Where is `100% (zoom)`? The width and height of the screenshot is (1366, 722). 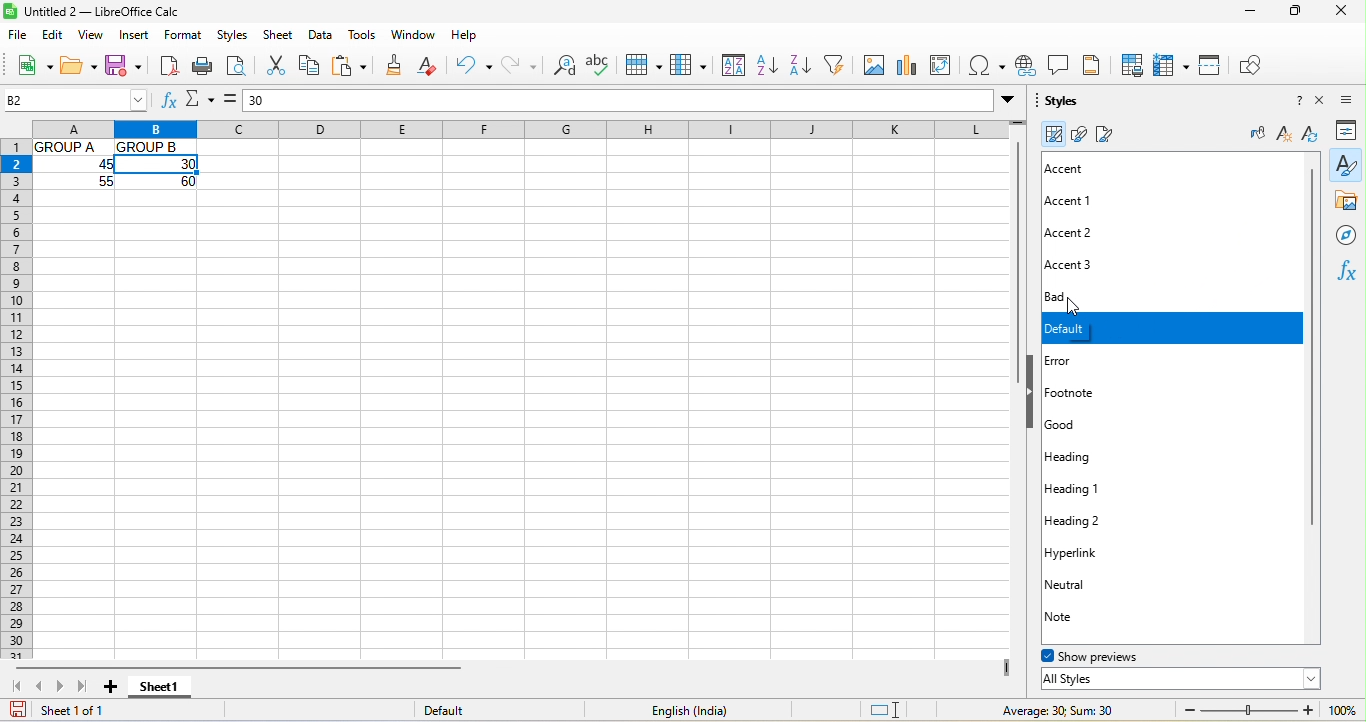 100% (zoom) is located at coordinates (1343, 710).